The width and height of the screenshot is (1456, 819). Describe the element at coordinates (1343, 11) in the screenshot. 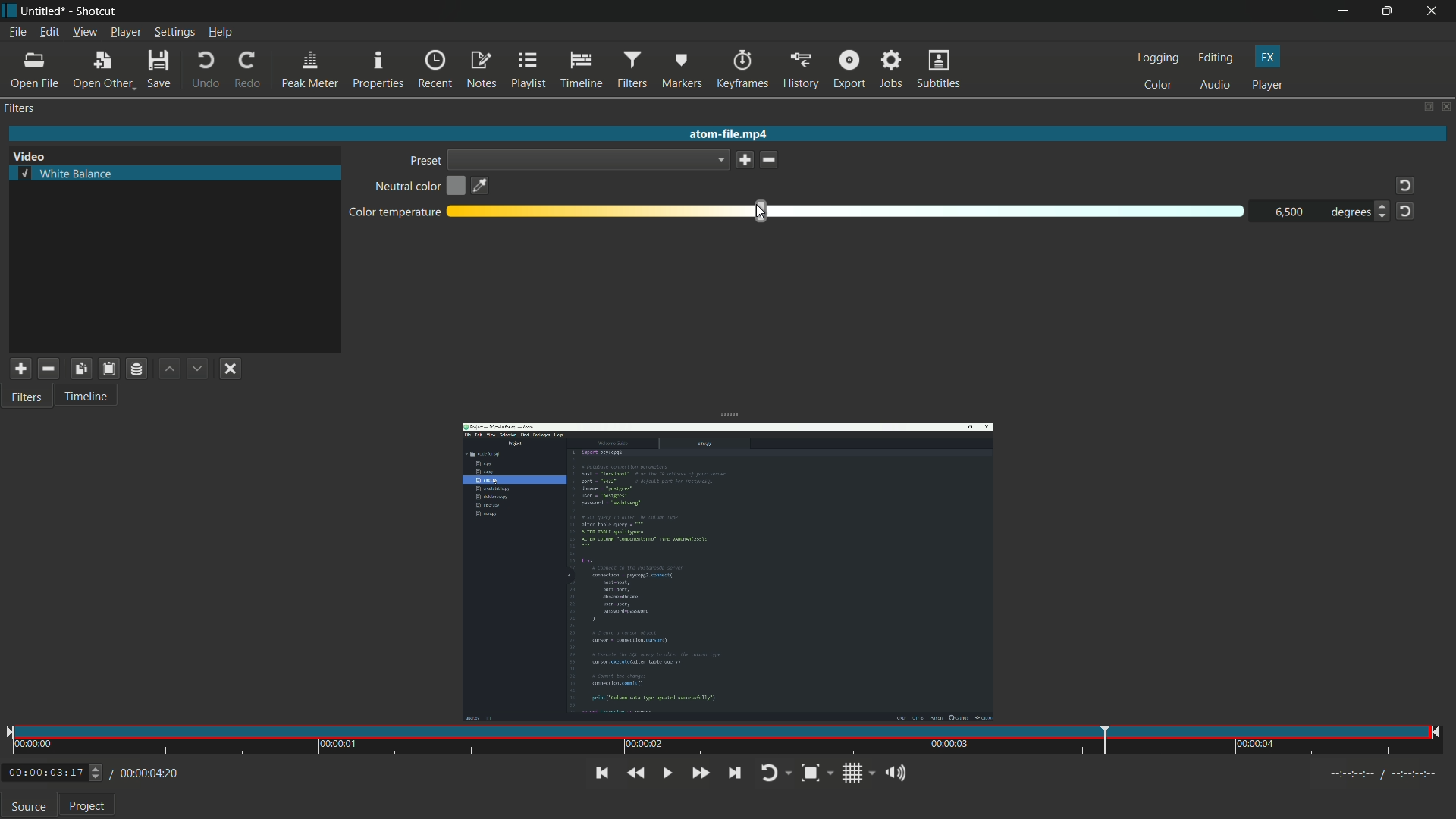

I see `minimize` at that location.